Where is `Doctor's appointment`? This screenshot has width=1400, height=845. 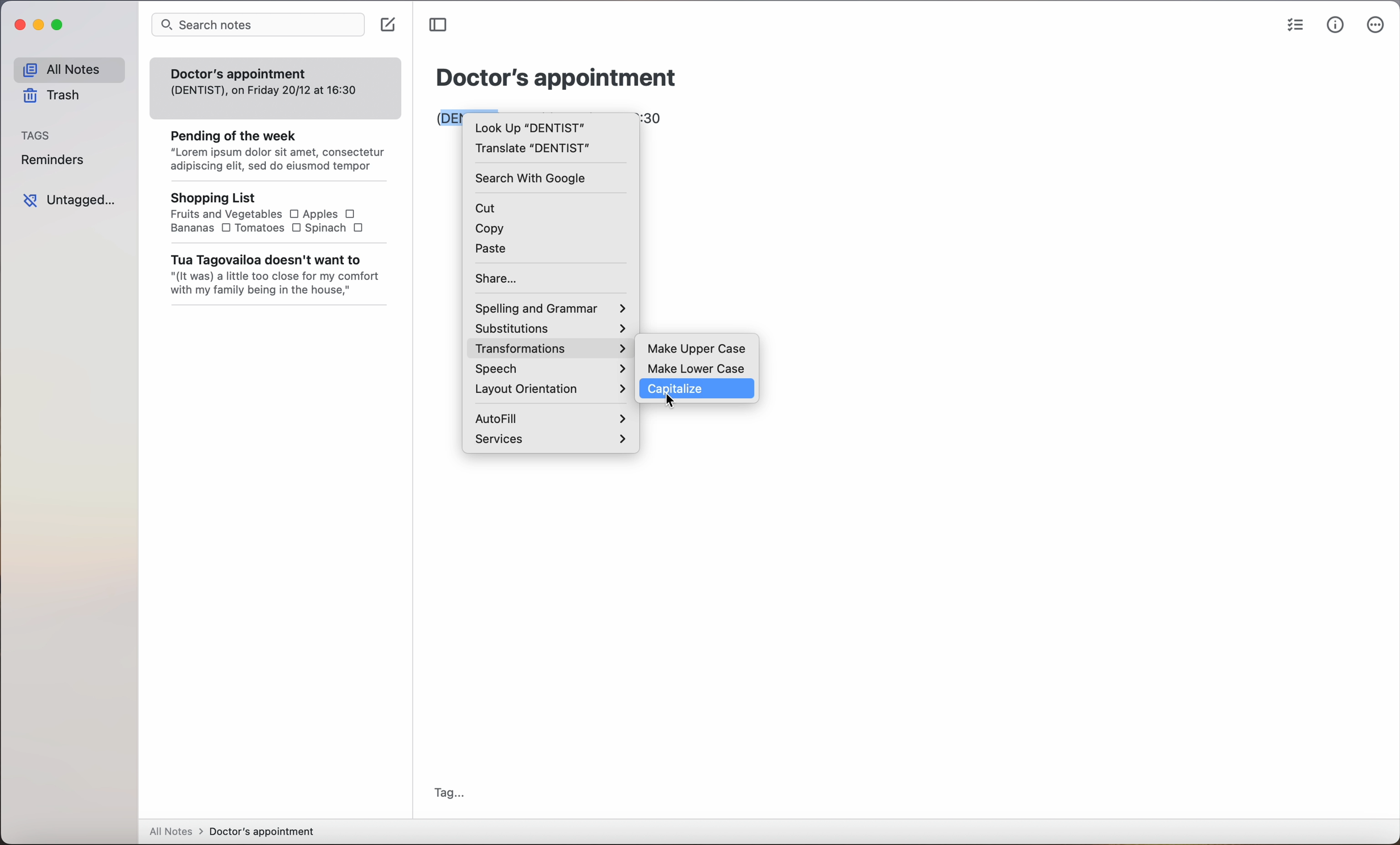 Doctor's appointment is located at coordinates (556, 77).